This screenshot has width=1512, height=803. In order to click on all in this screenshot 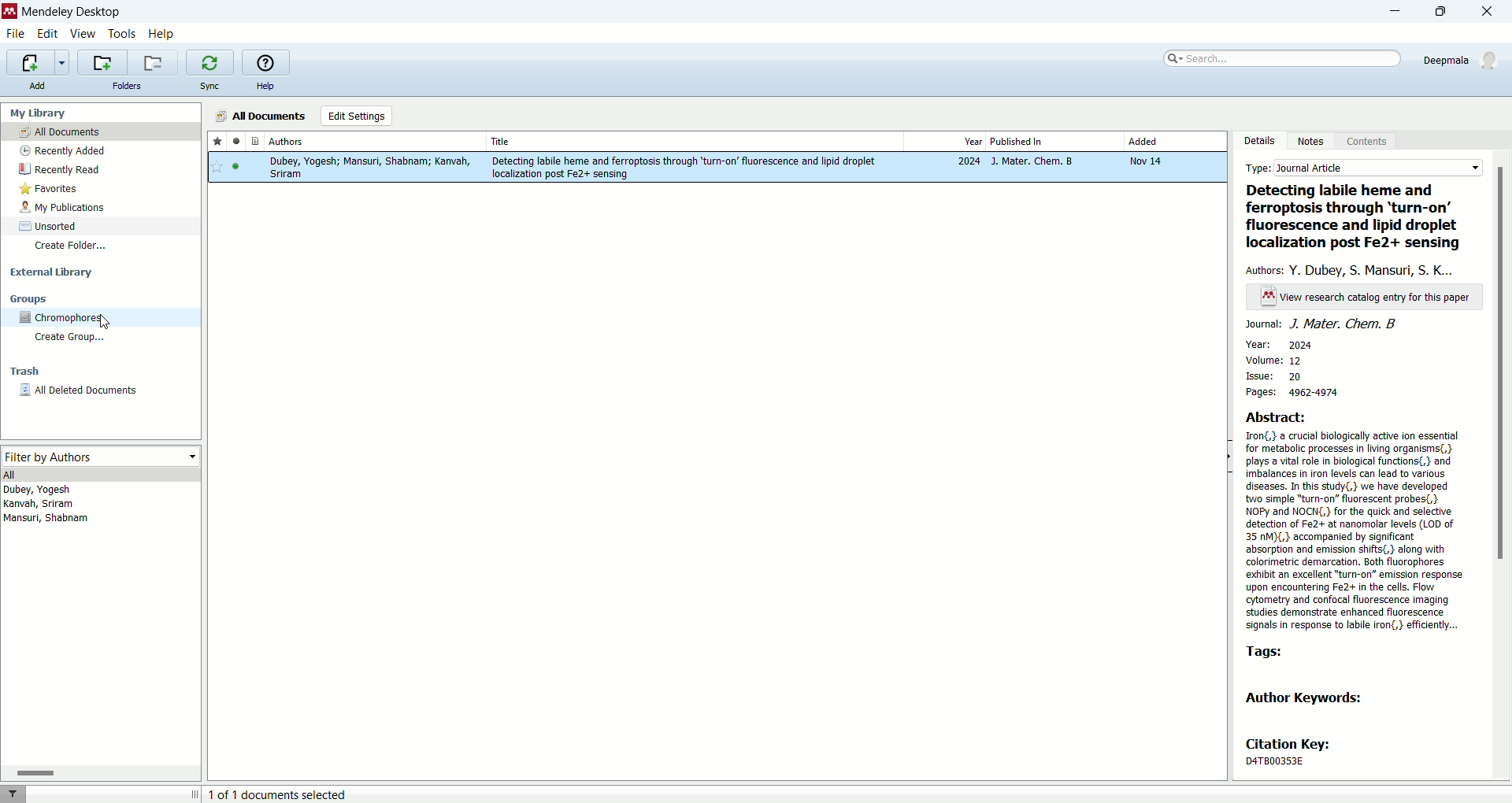, I will do `click(102, 475)`.